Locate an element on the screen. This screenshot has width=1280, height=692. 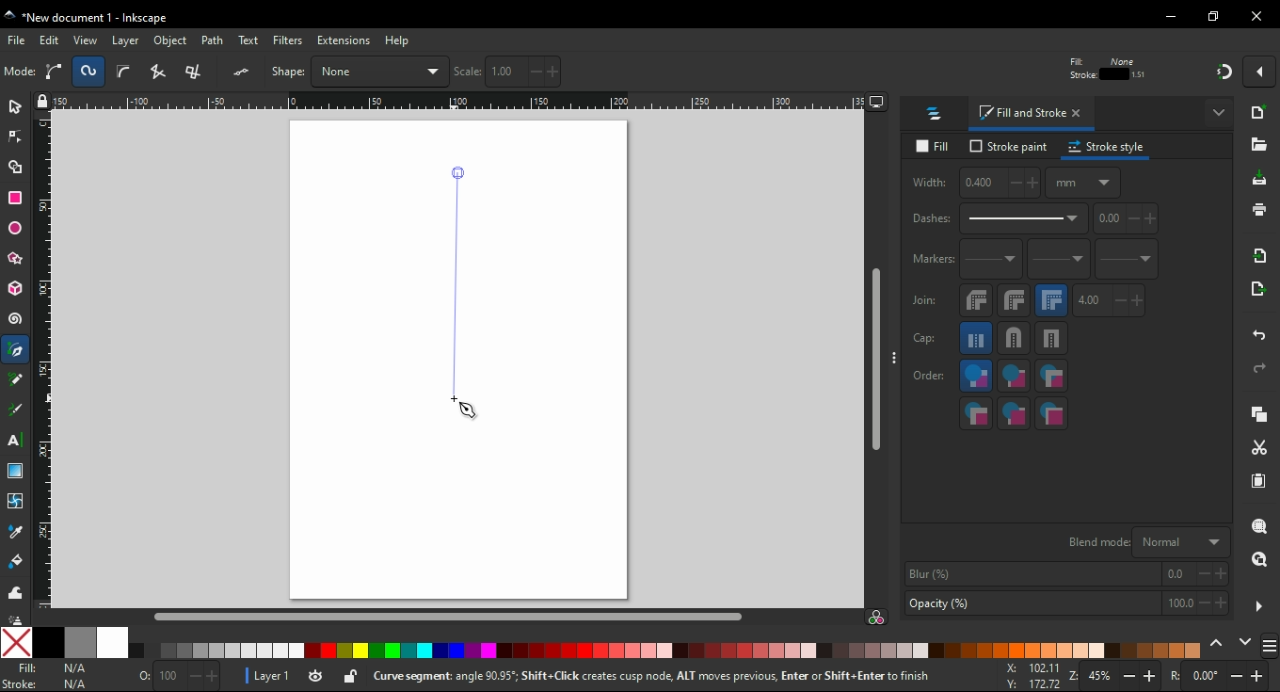
view is located at coordinates (86, 40).